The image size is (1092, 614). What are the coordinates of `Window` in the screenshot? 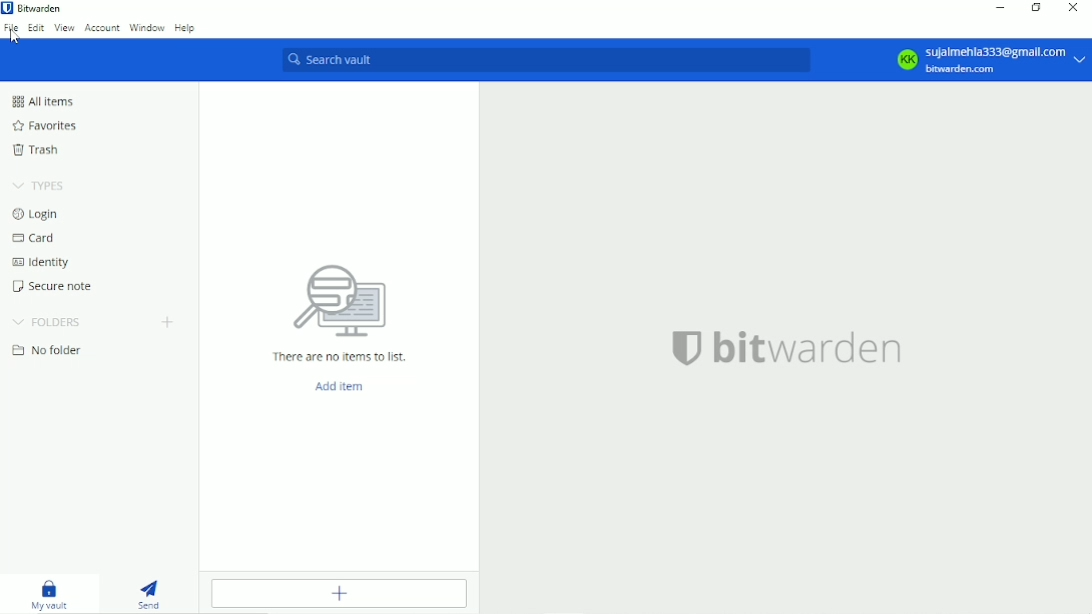 It's located at (147, 27).